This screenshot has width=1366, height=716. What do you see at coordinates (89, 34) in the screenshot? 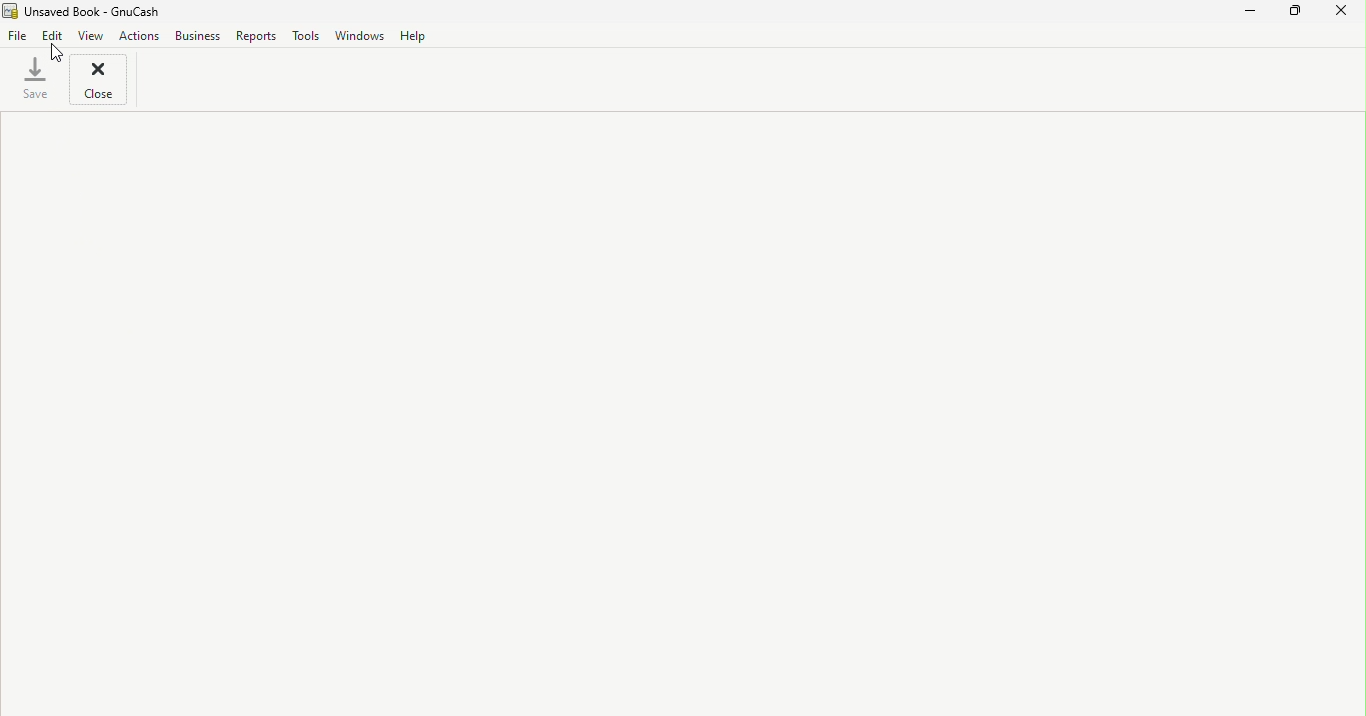
I see `View` at bounding box center [89, 34].